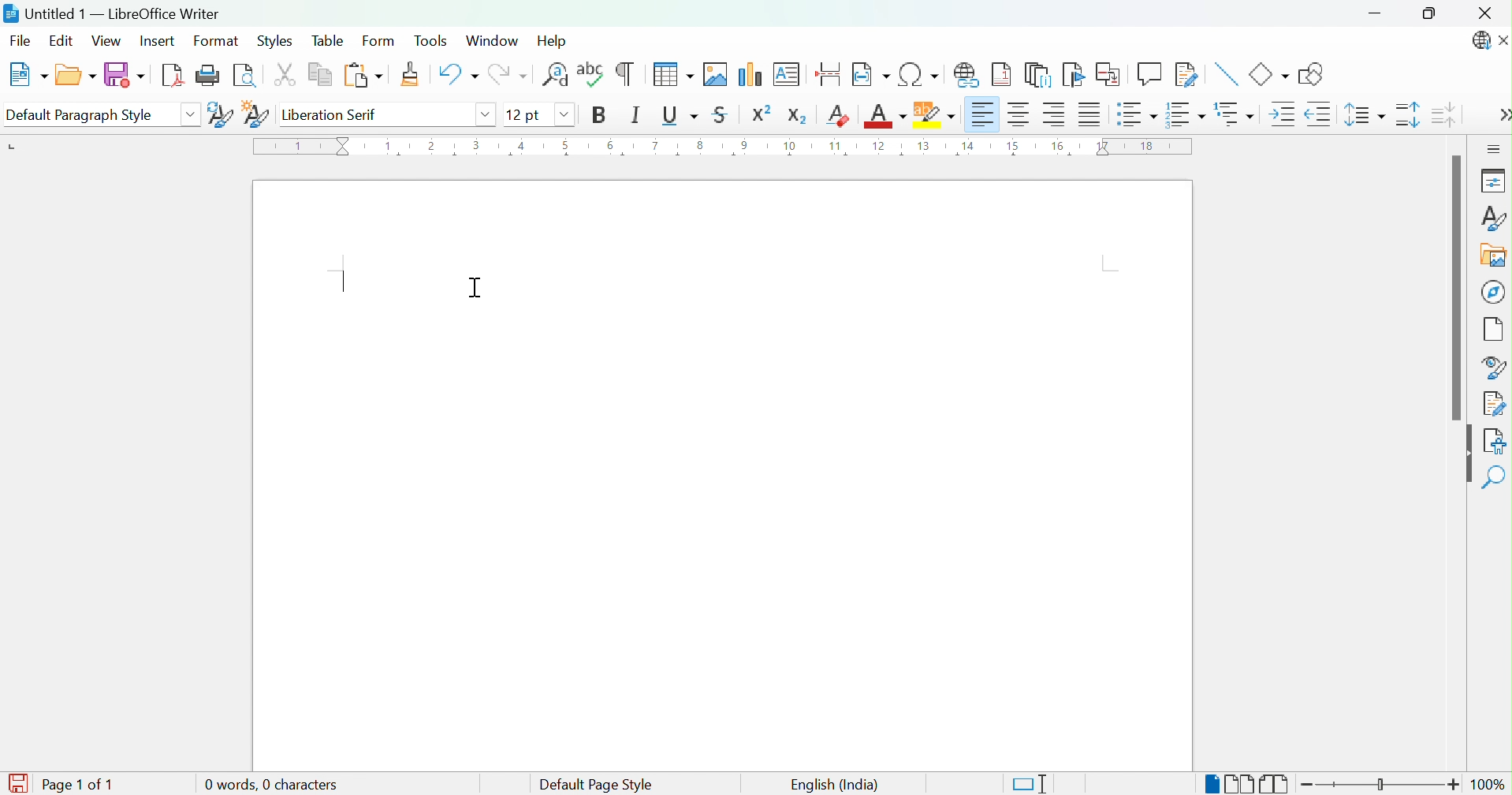 This screenshot has width=1512, height=795. What do you see at coordinates (1187, 114) in the screenshot?
I see `Toggle ordered list` at bounding box center [1187, 114].